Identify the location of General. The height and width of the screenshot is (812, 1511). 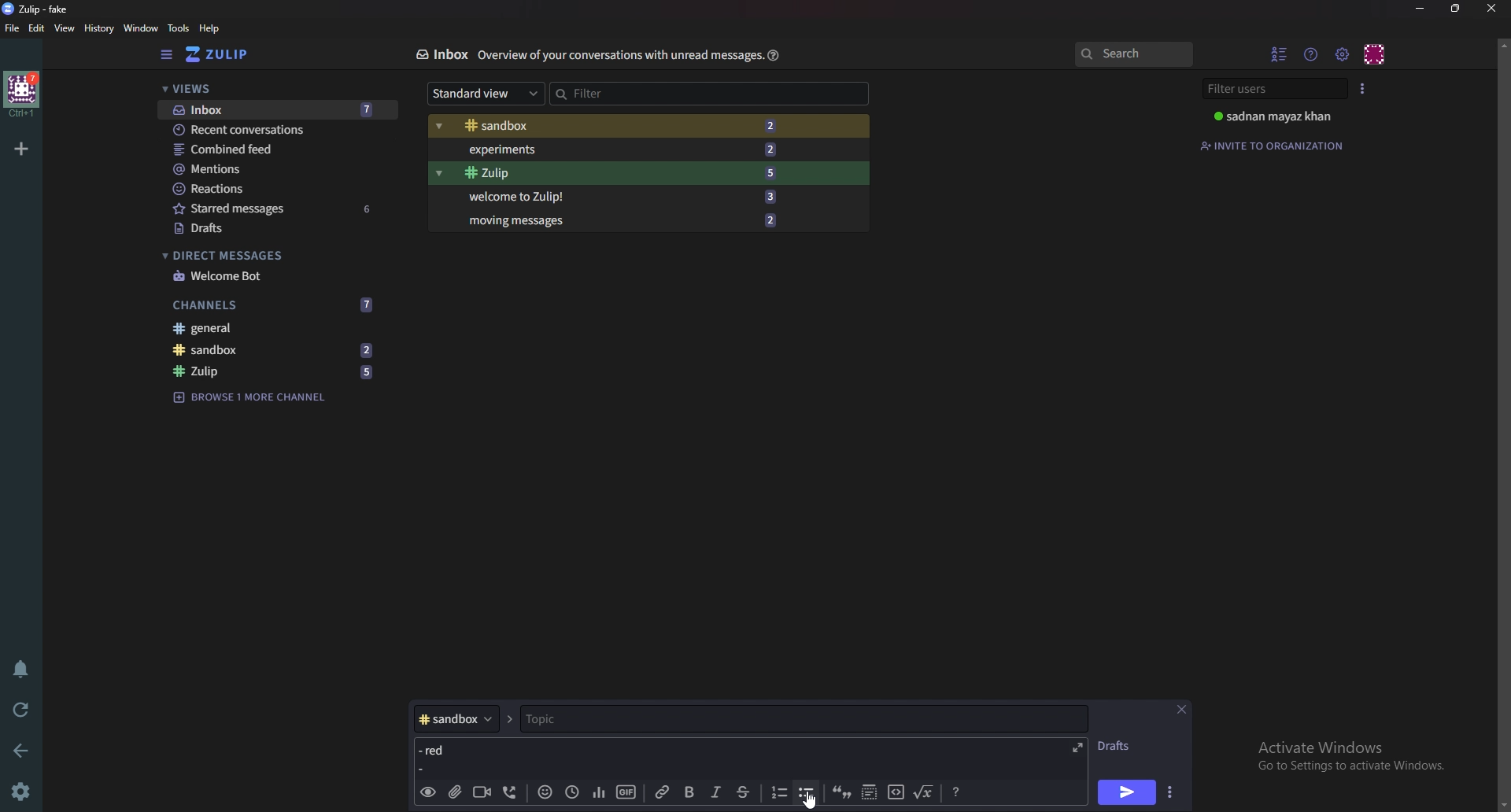
(268, 327).